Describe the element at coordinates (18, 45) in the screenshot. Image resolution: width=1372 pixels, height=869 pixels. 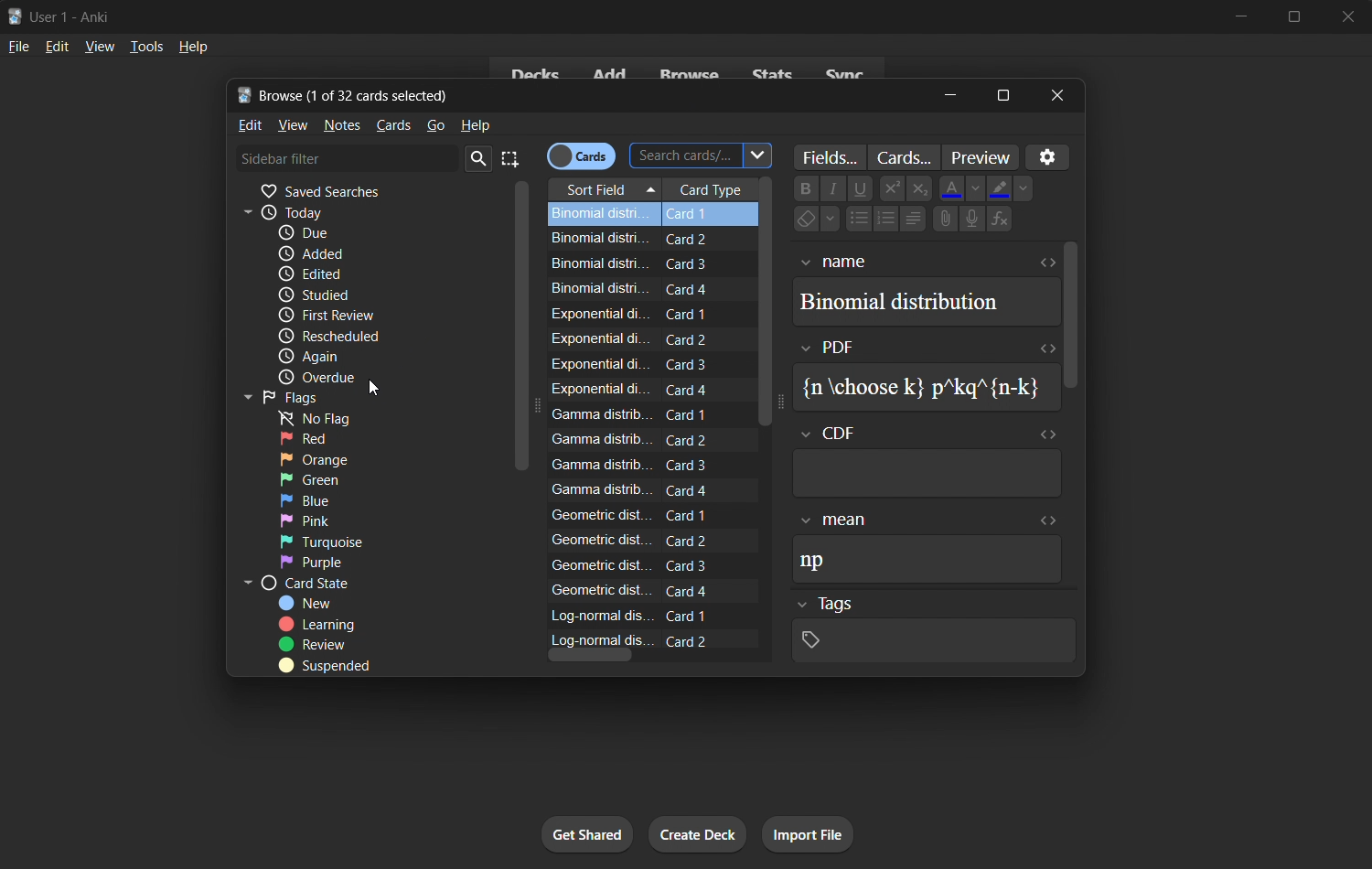
I see `file` at that location.